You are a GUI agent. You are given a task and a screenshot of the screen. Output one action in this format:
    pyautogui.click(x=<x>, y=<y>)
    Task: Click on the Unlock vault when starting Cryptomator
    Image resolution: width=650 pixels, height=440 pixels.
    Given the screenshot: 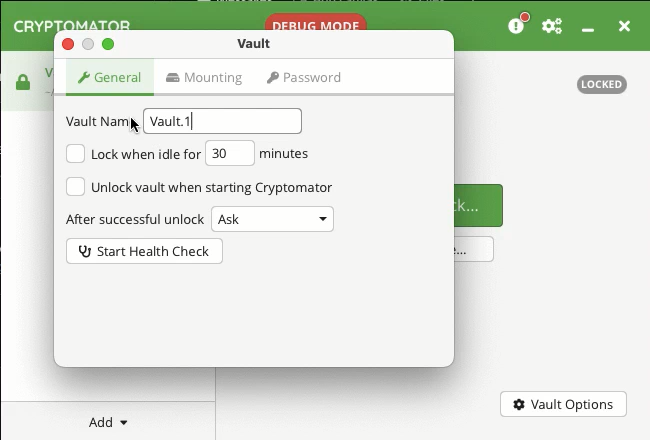 What is the action you would take?
    pyautogui.click(x=207, y=187)
    